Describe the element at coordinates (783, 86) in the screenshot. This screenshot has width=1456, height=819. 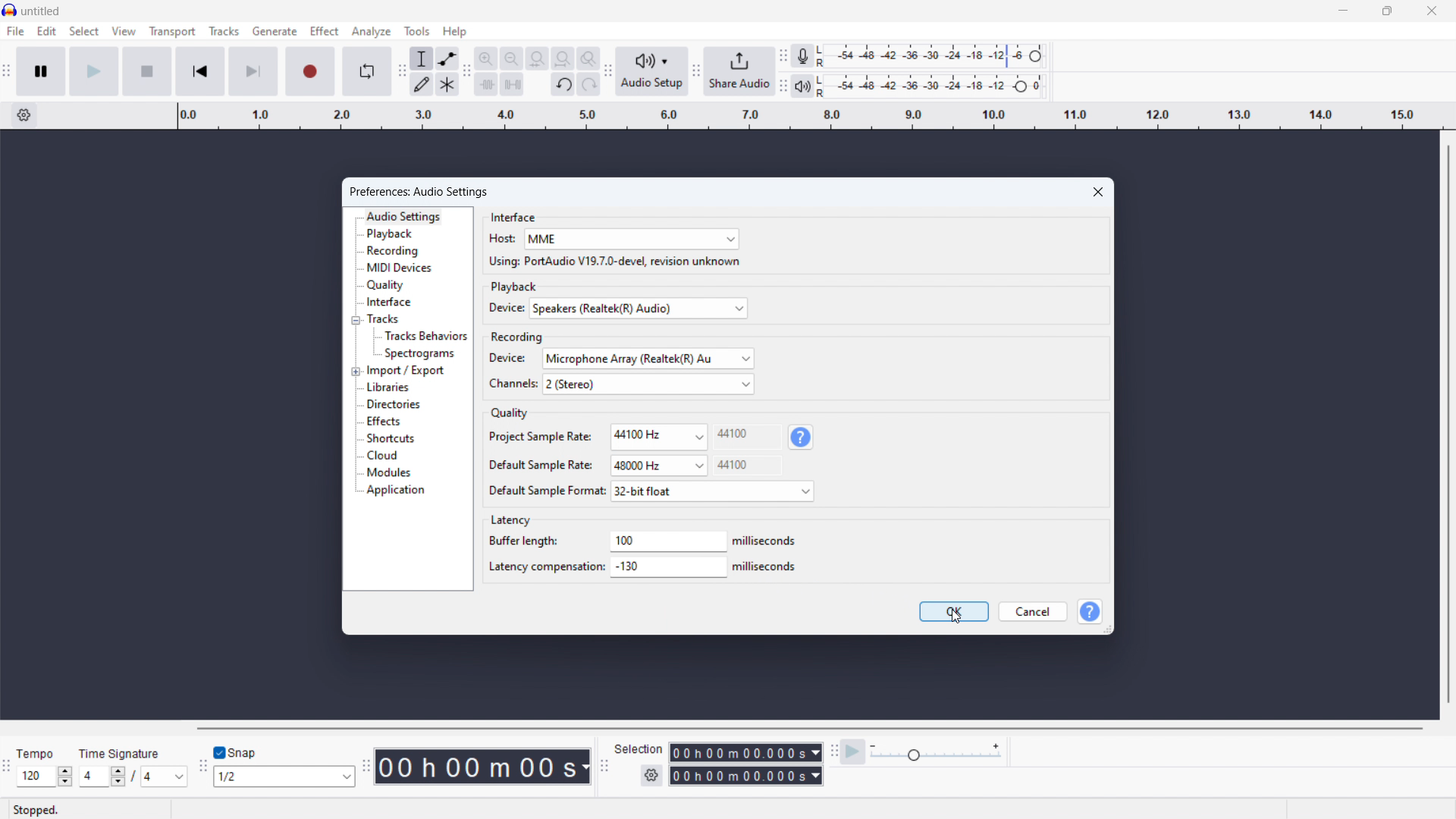
I see `playback meter toolbar` at that location.